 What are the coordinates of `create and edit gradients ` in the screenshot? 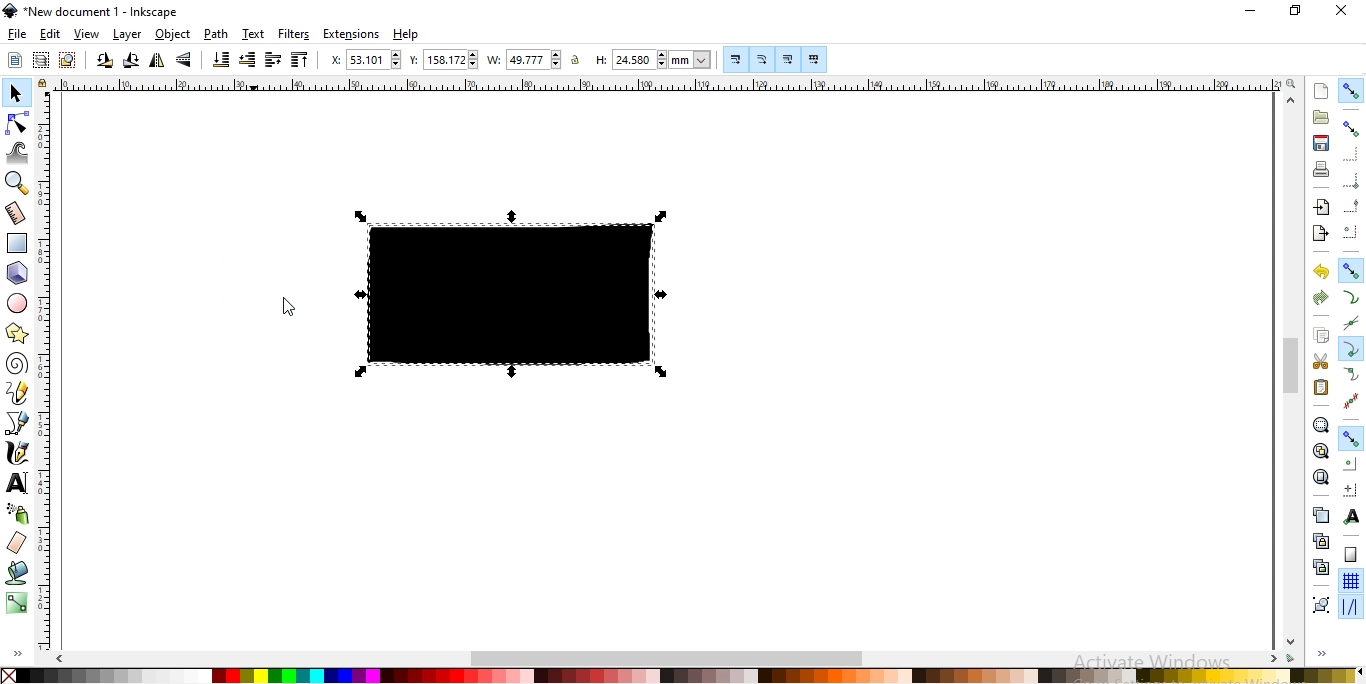 It's located at (18, 601).